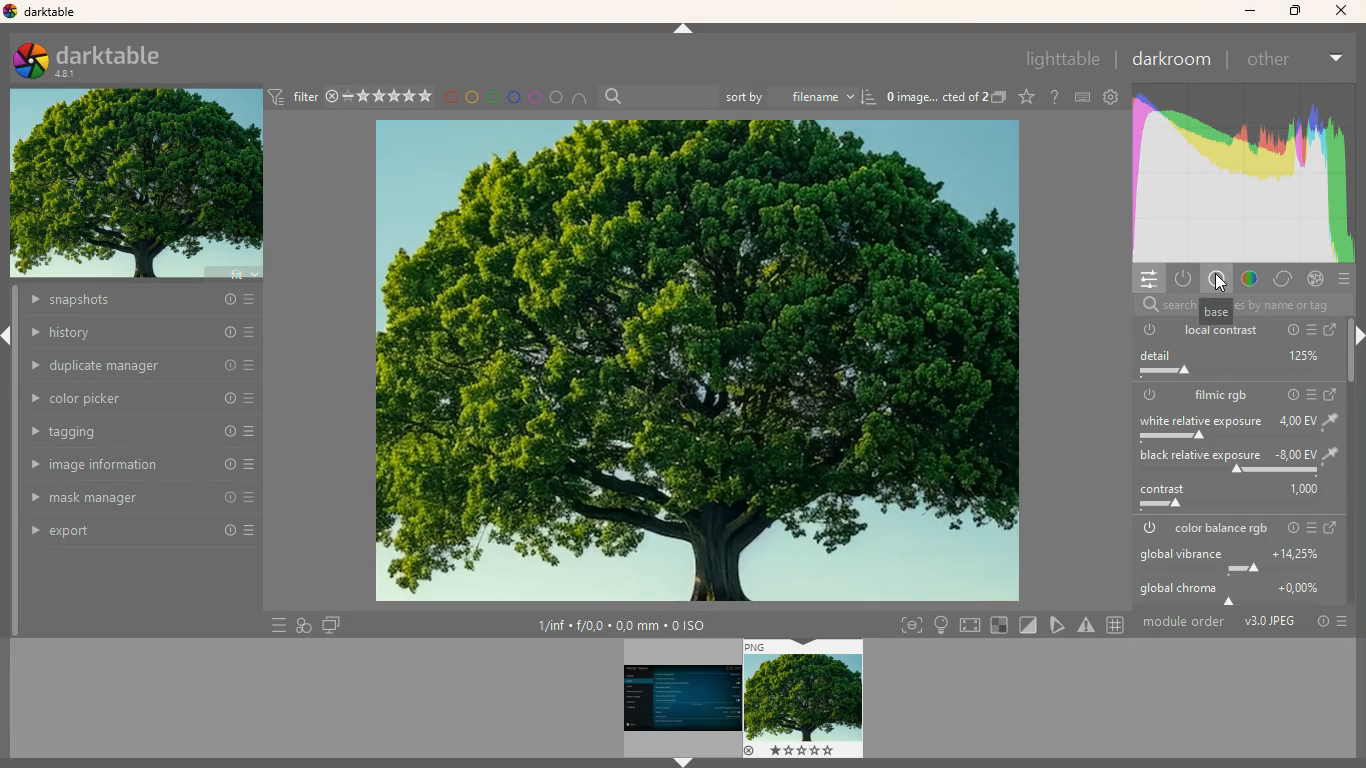  What do you see at coordinates (1229, 363) in the screenshot?
I see `detail` at bounding box center [1229, 363].